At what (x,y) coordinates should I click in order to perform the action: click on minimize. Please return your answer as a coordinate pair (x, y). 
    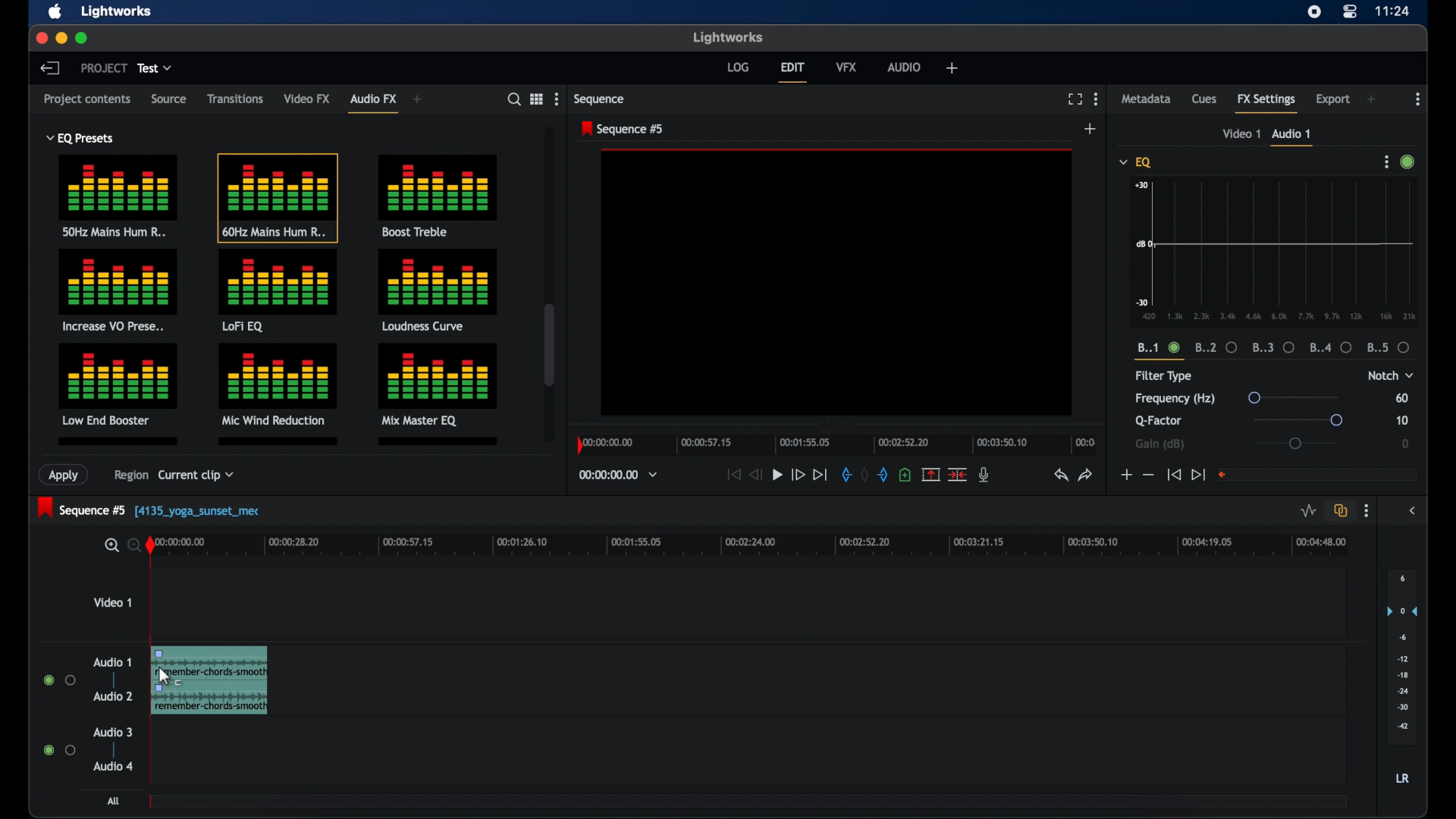
    Looking at the image, I should click on (61, 39).